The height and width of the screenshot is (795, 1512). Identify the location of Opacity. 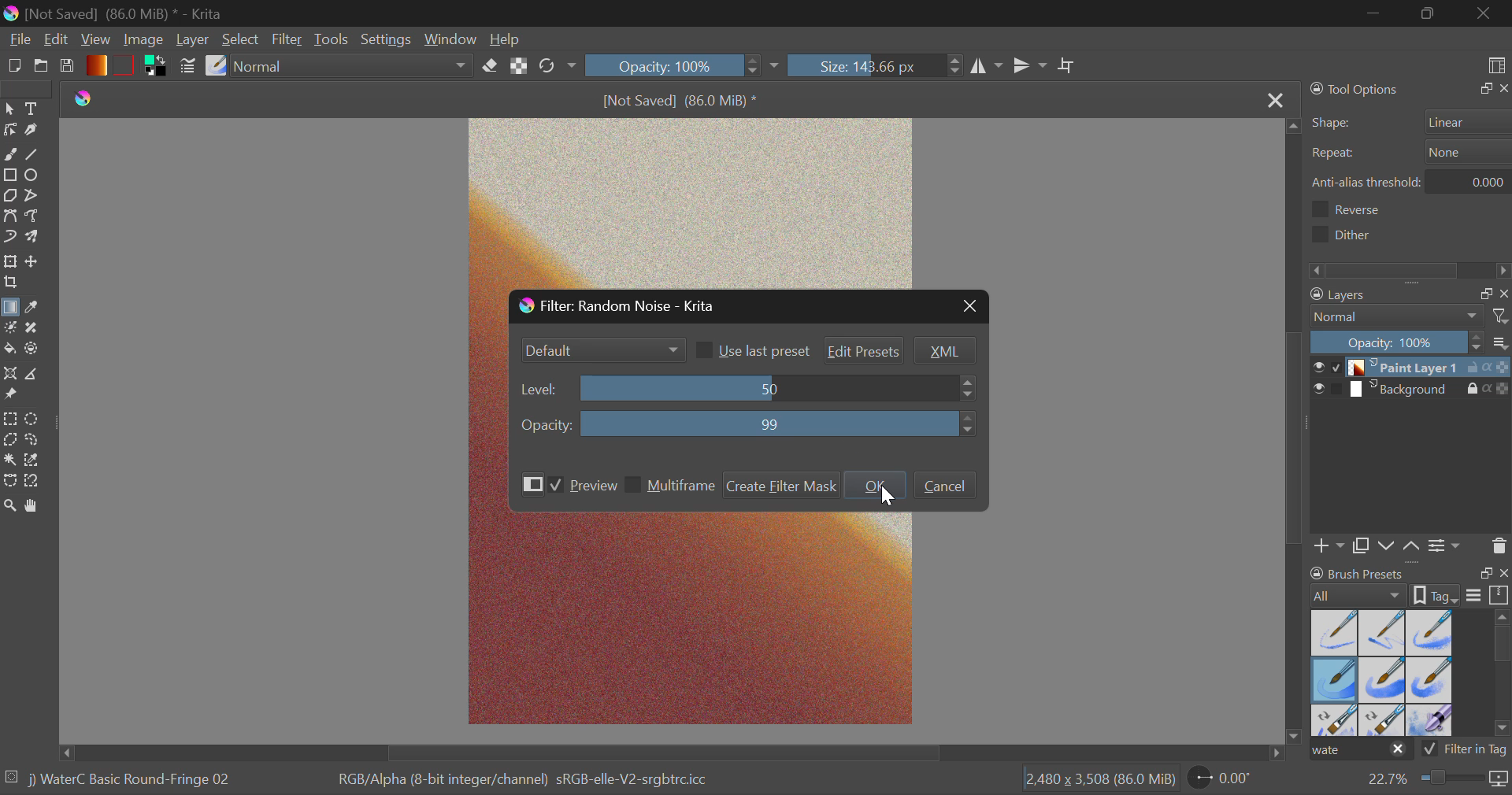
(746, 424).